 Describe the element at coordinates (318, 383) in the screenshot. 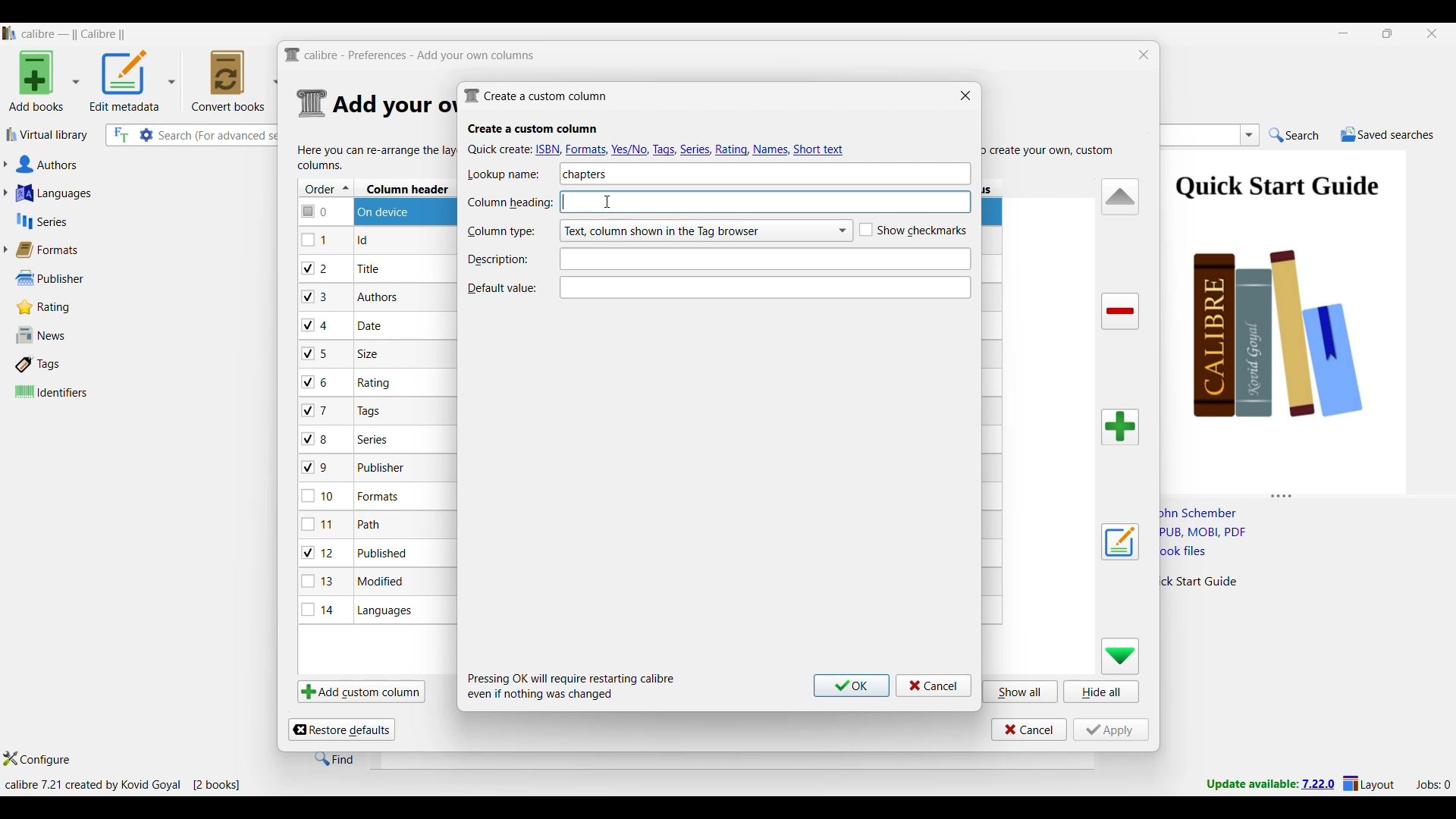

I see `checkbox - 6` at that location.